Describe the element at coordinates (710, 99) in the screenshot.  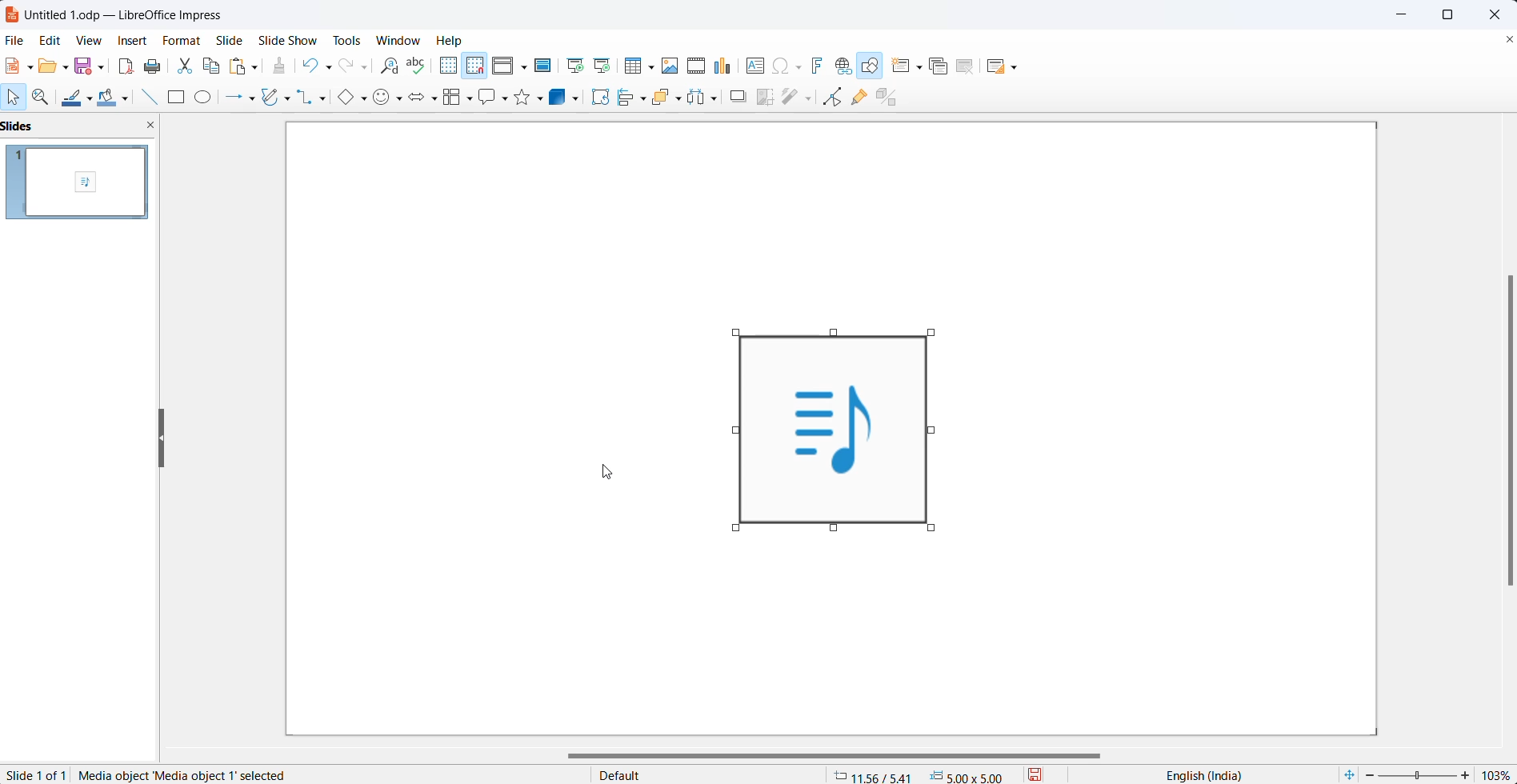
I see `select at least 3 objects to distribute` at that location.